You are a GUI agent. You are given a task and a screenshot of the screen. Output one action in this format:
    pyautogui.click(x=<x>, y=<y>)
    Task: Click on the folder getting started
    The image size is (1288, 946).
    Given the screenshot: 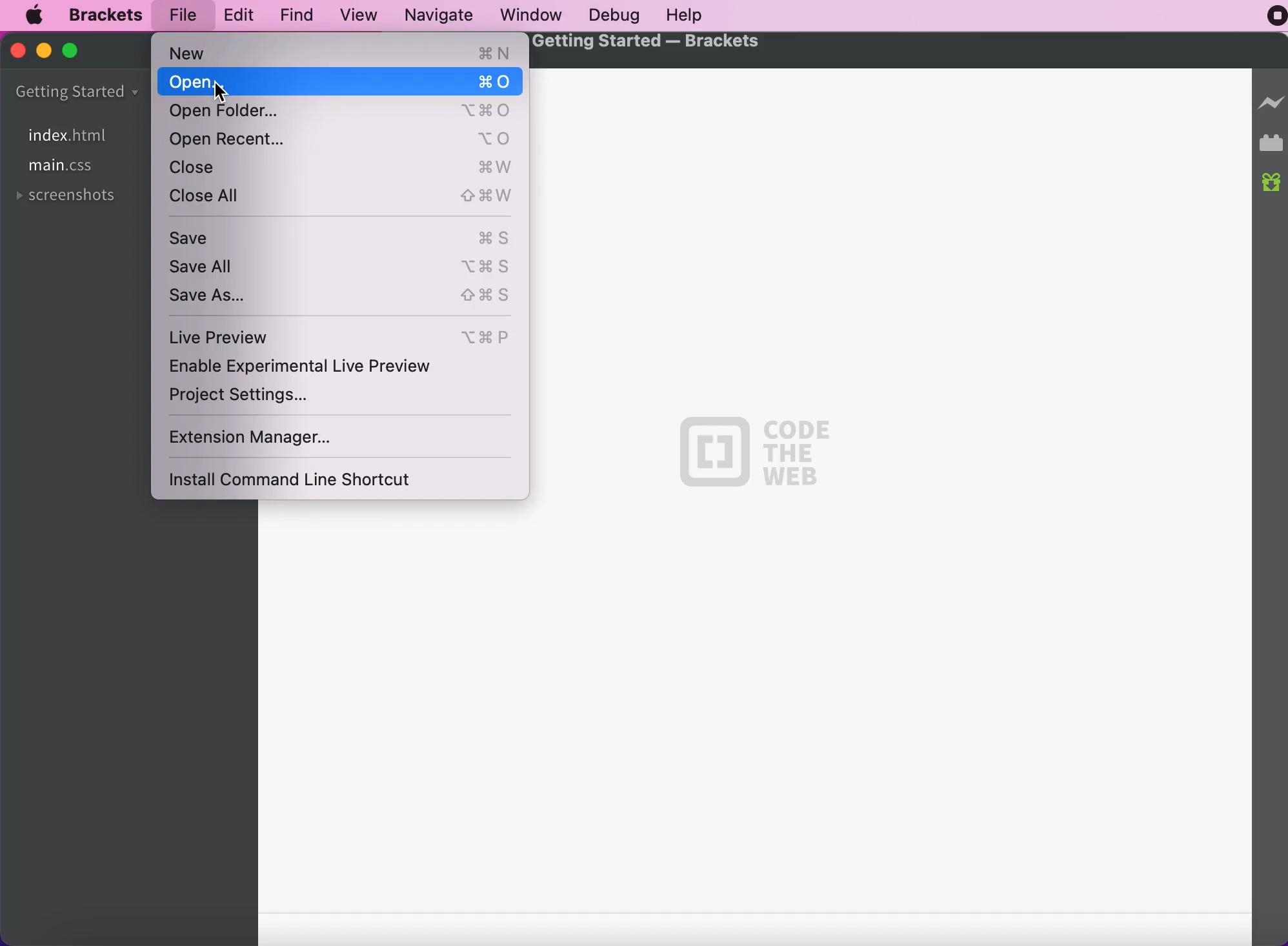 What is the action you would take?
    pyautogui.click(x=81, y=91)
    